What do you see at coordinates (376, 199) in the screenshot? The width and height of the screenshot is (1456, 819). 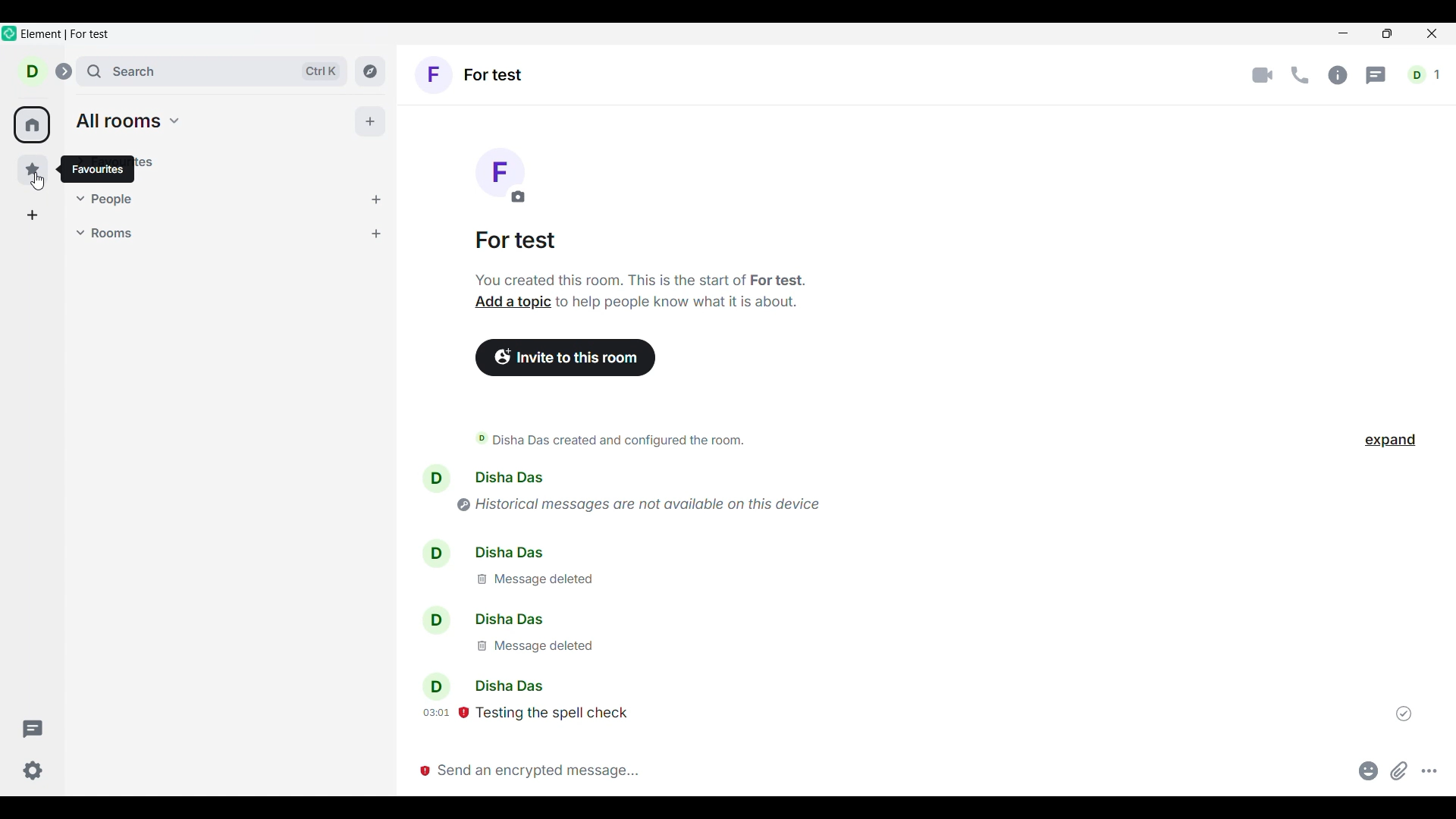 I see `Start chat` at bounding box center [376, 199].